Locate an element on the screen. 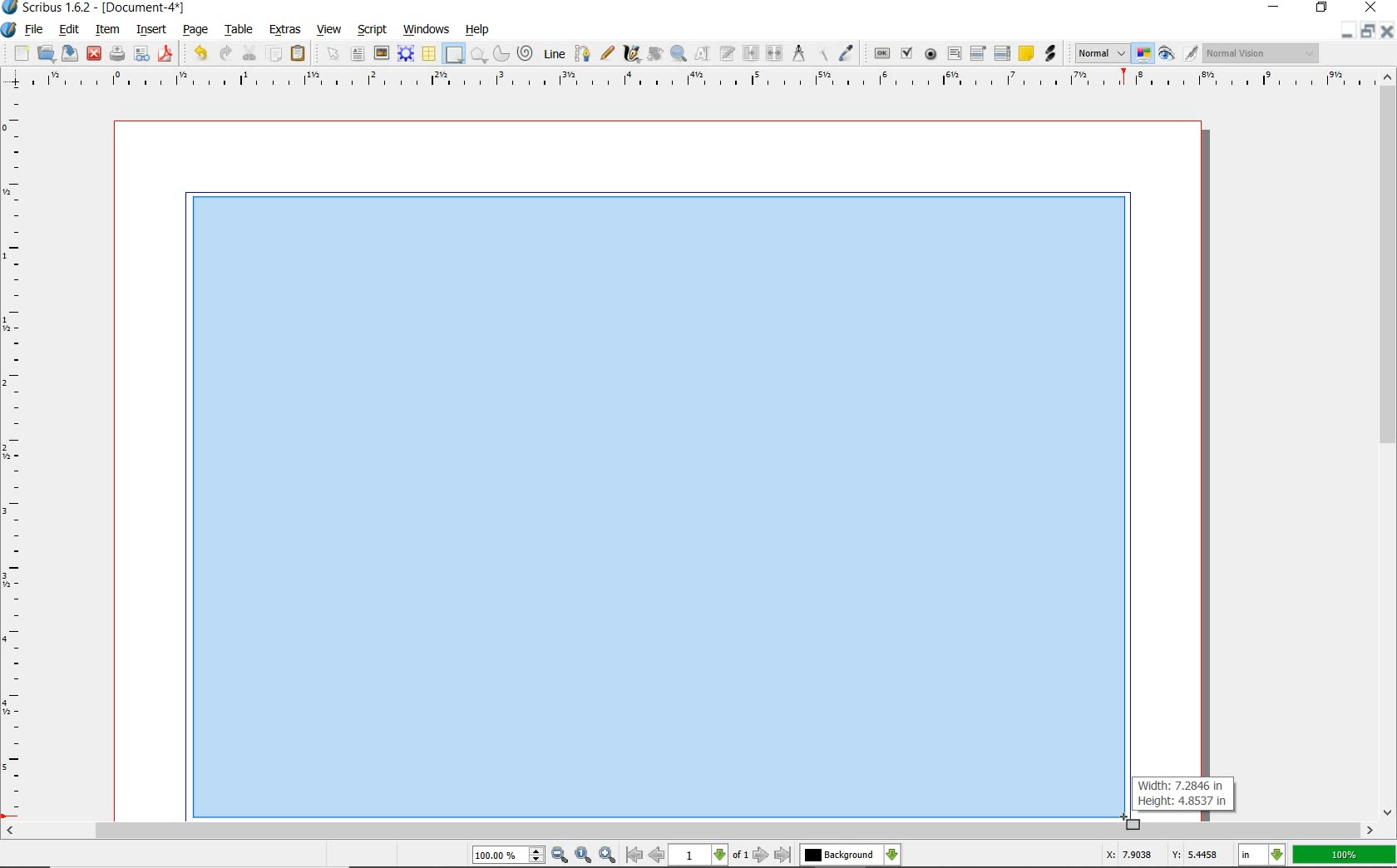 This screenshot has width=1397, height=868. ruler is located at coordinates (15, 457).